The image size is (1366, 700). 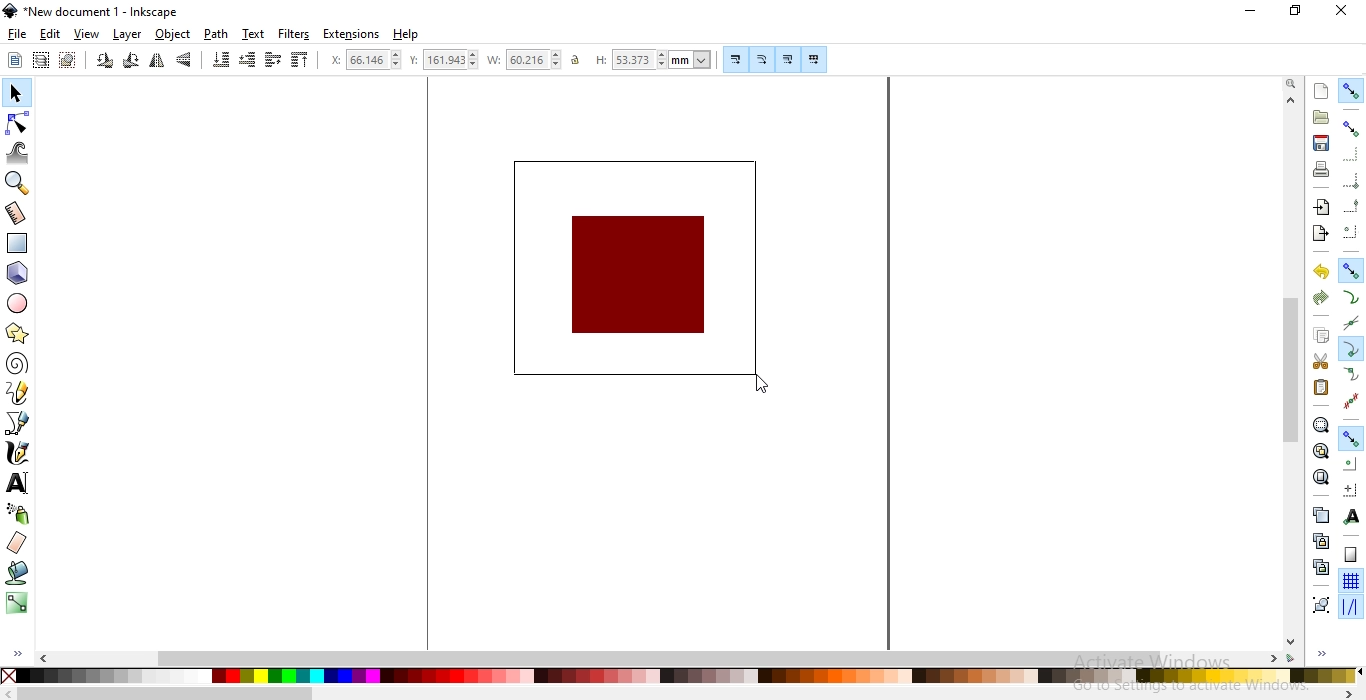 I want to click on save document, so click(x=1322, y=144).